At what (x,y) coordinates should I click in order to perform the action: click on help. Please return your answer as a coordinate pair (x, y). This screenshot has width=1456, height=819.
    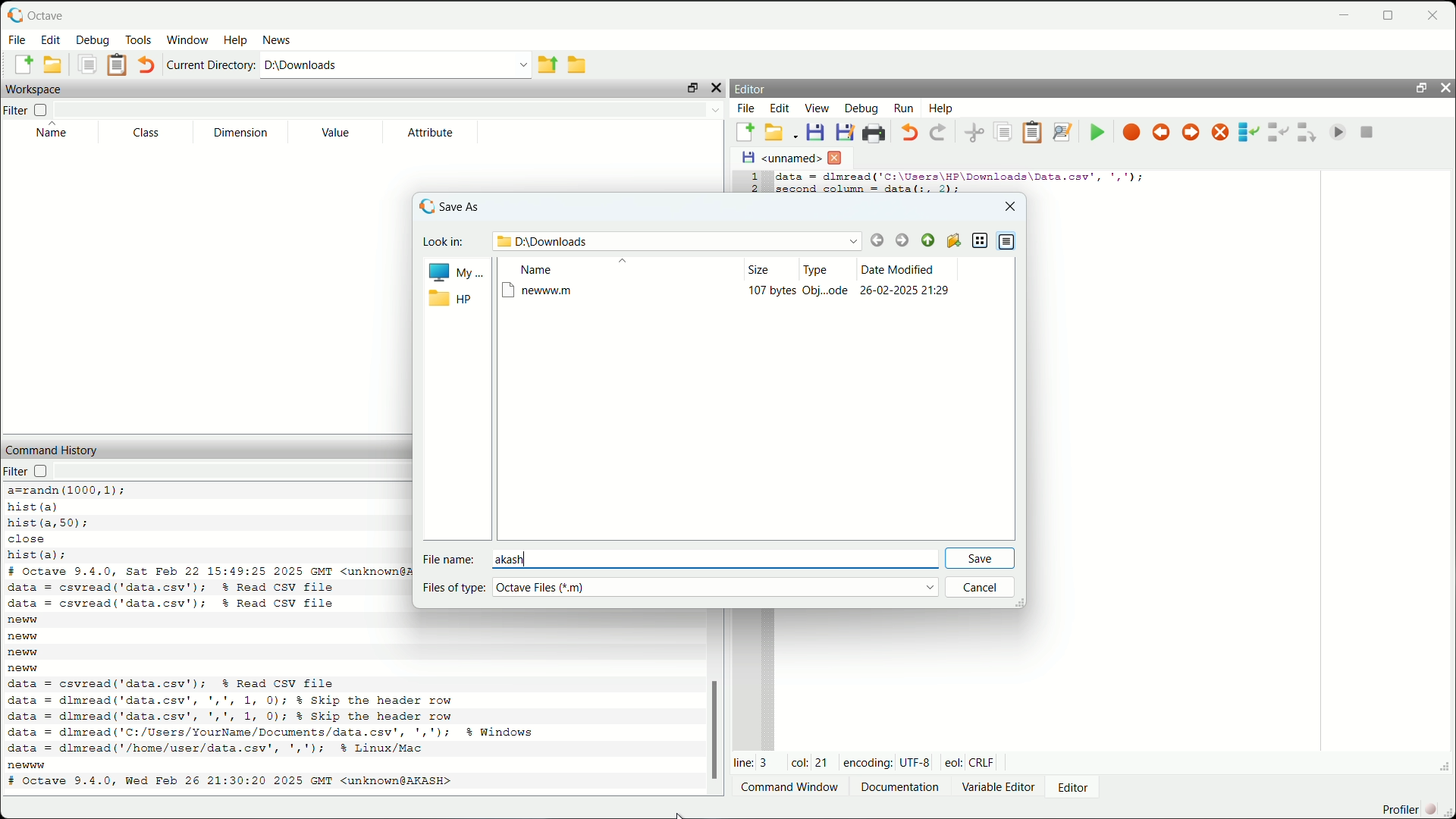
    Looking at the image, I should click on (945, 110).